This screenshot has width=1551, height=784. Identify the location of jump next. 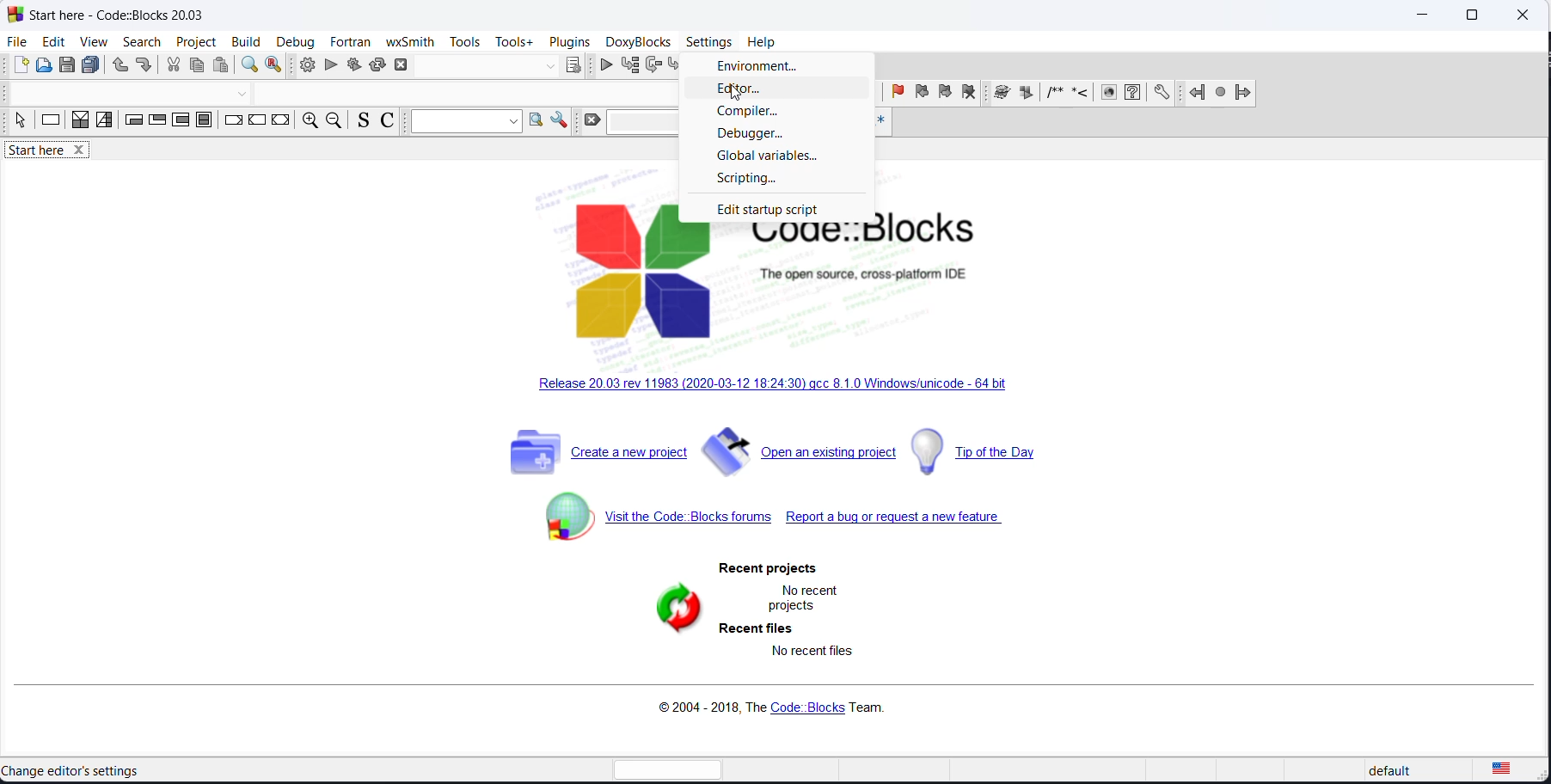
(1220, 93).